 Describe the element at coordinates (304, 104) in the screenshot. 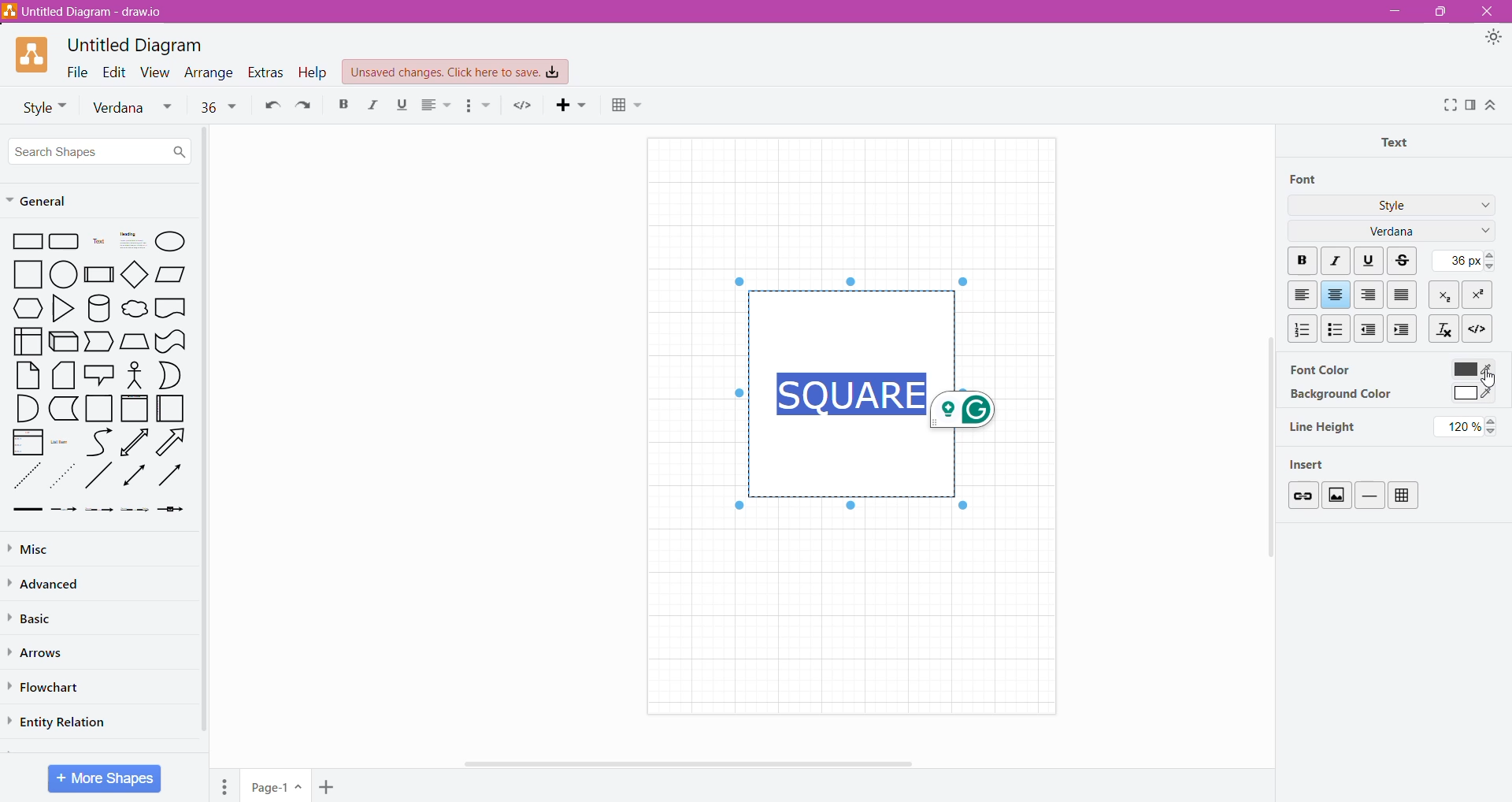

I see `Redo` at that location.